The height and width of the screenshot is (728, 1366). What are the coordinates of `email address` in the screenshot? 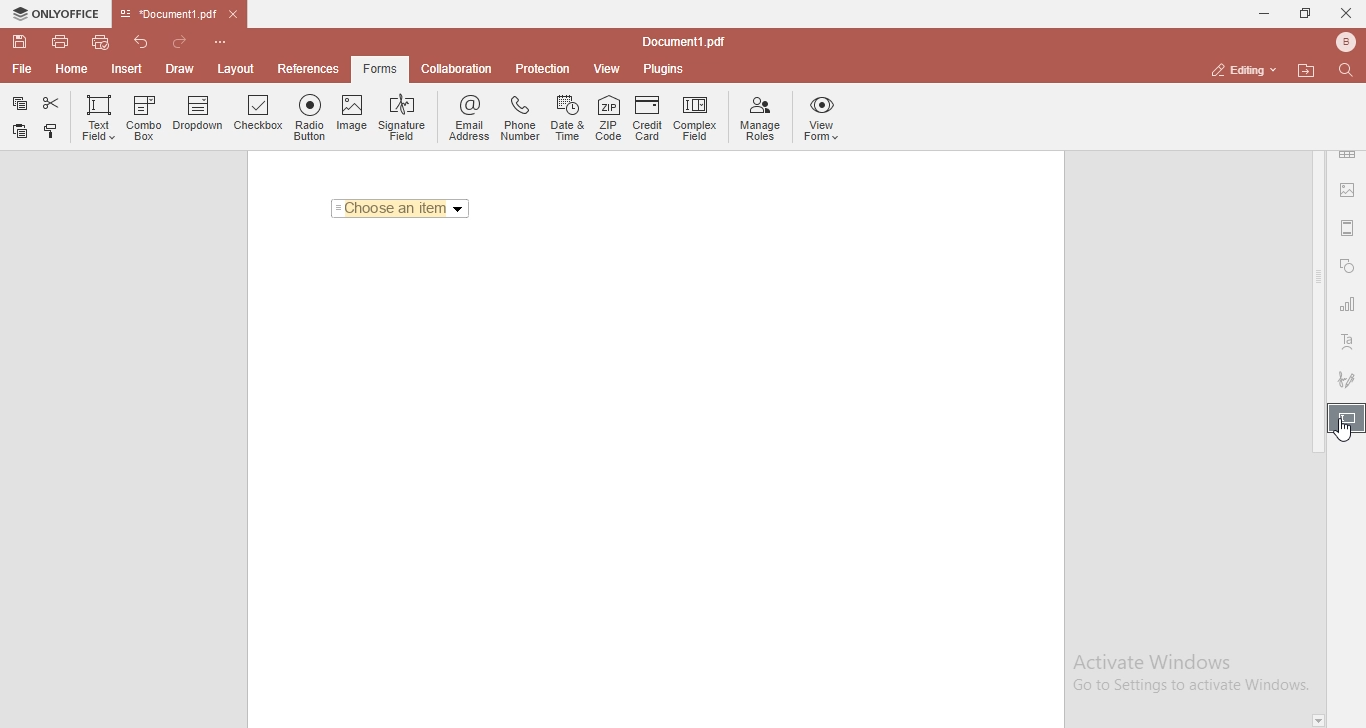 It's located at (467, 119).